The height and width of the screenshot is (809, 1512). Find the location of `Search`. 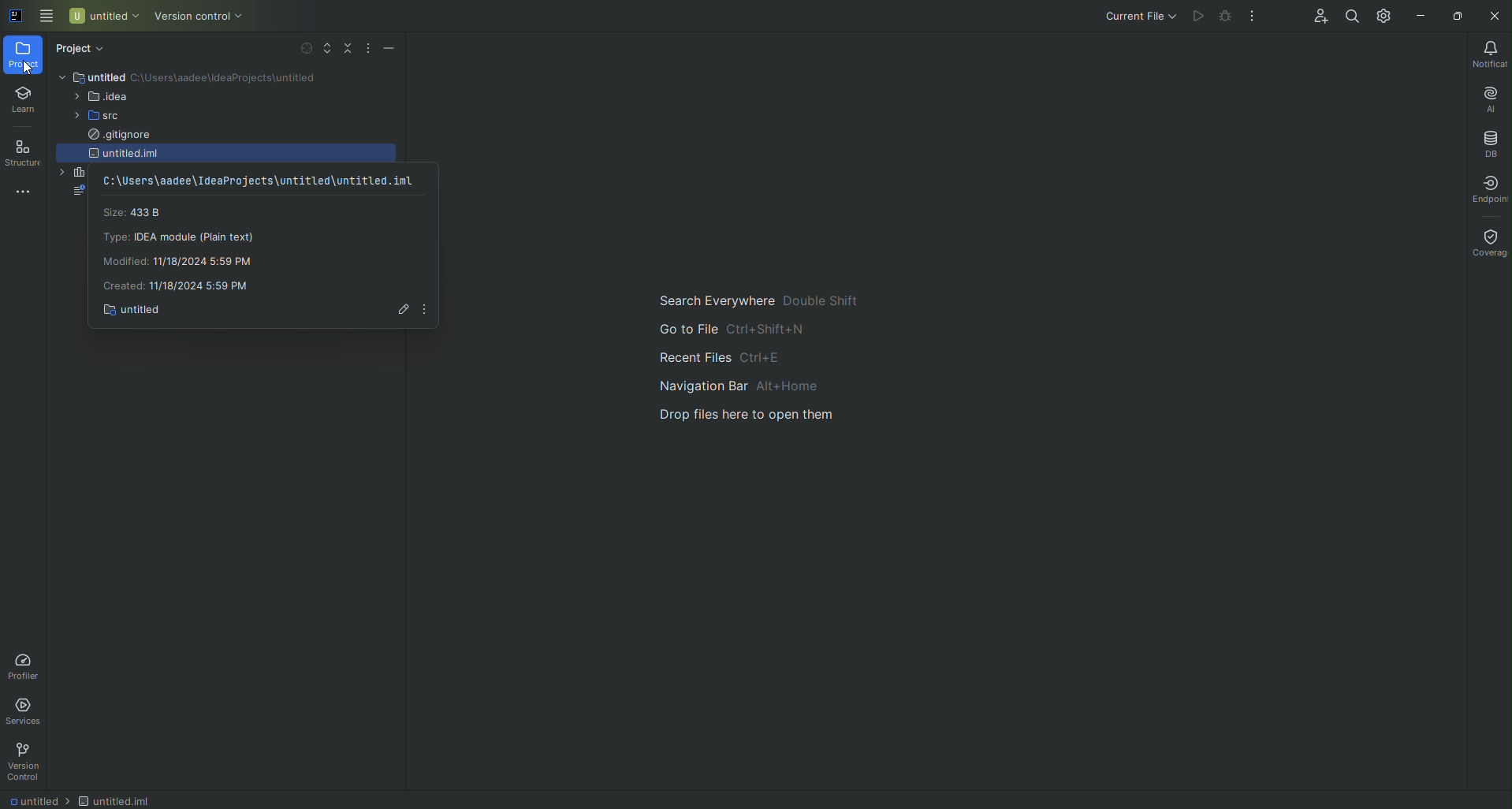

Search is located at coordinates (1350, 17).